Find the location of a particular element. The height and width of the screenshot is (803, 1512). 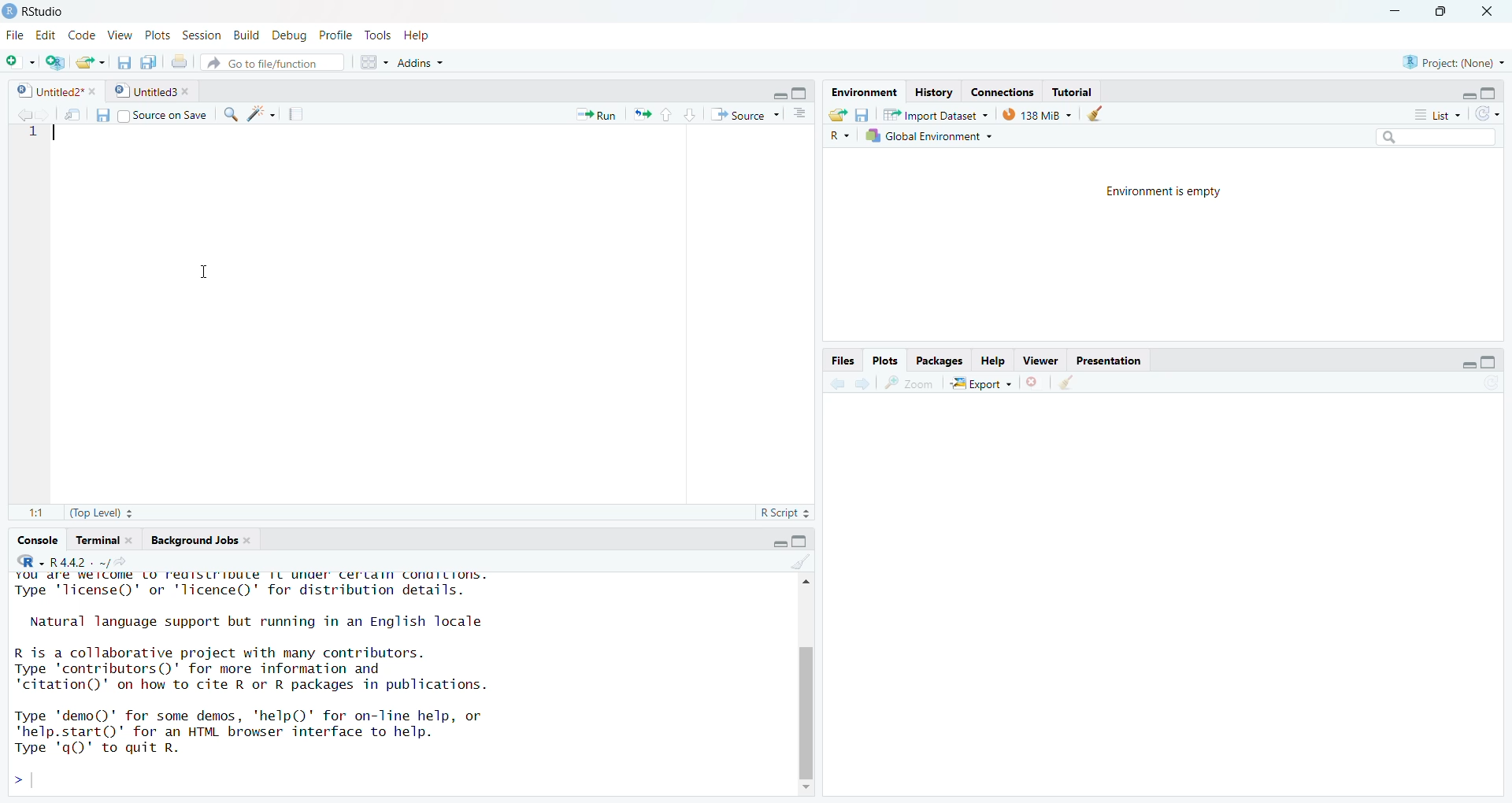

Presentation is located at coordinates (1110, 361).